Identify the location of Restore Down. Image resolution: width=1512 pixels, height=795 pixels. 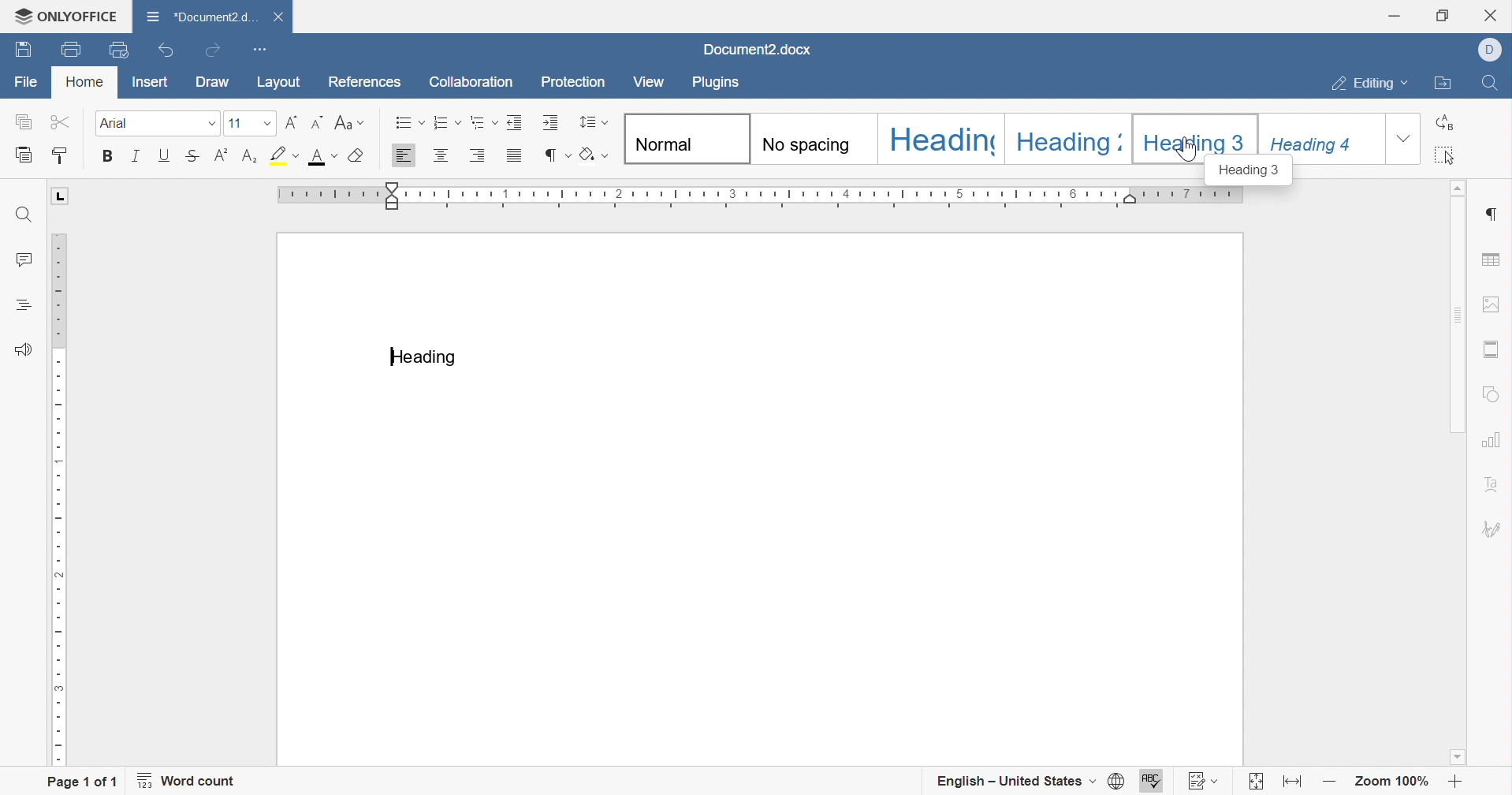
(1439, 16).